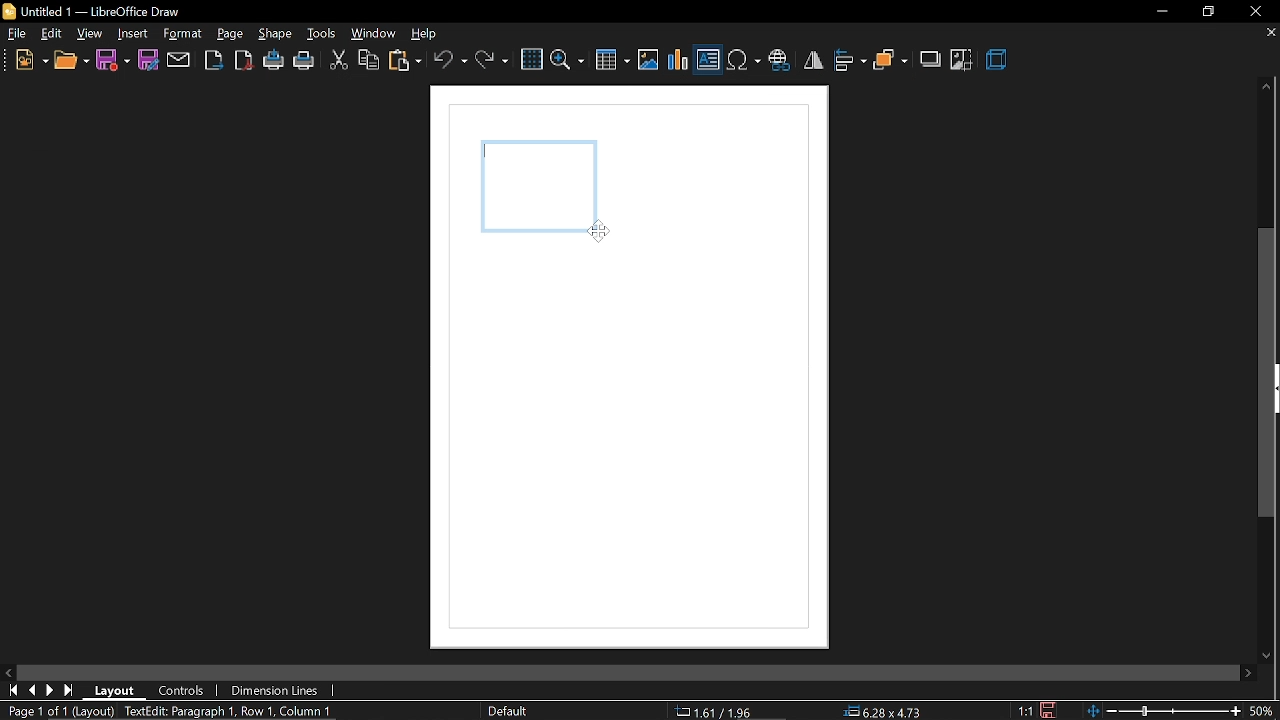 The image size is (1280, 720). What do you see at coordinates (179, 60) in the screenshot?
I see `attach` at bounding box center [179, 60].